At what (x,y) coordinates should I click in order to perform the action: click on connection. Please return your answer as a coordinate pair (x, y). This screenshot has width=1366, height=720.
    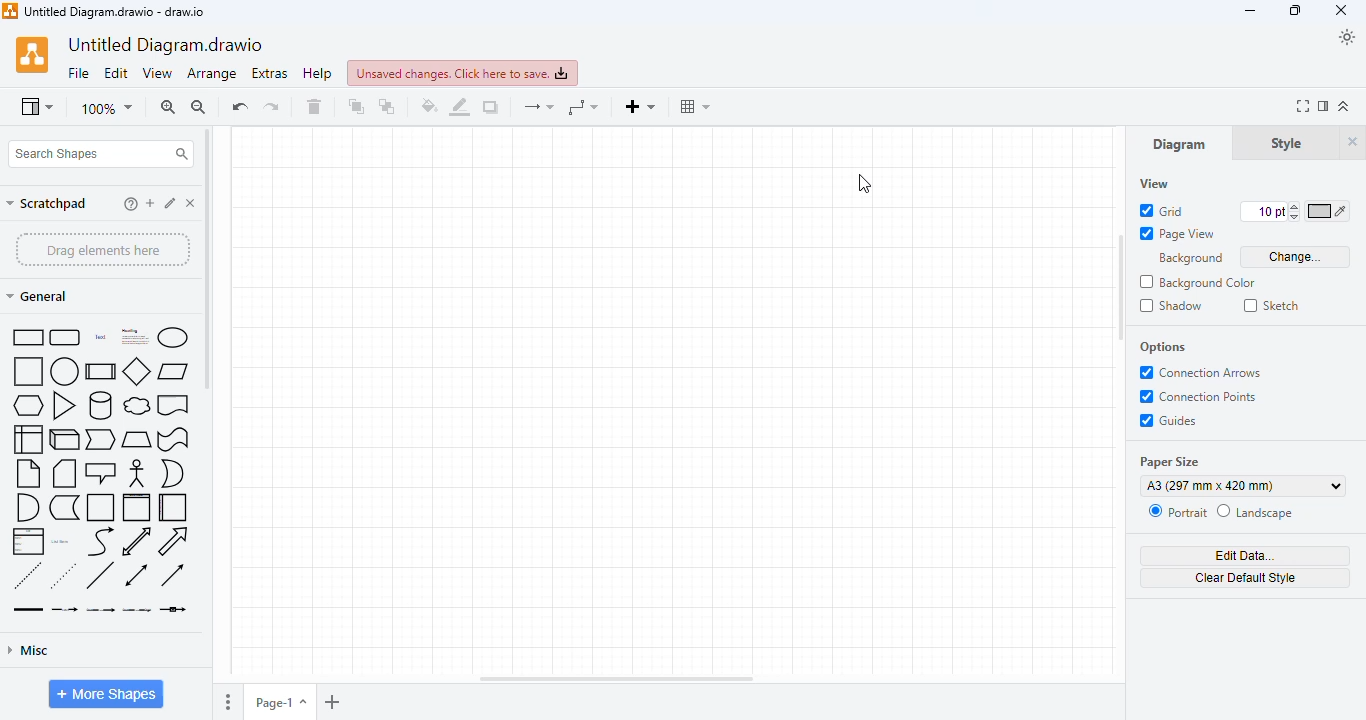
    Looking at the image, I should click on (538, 107).